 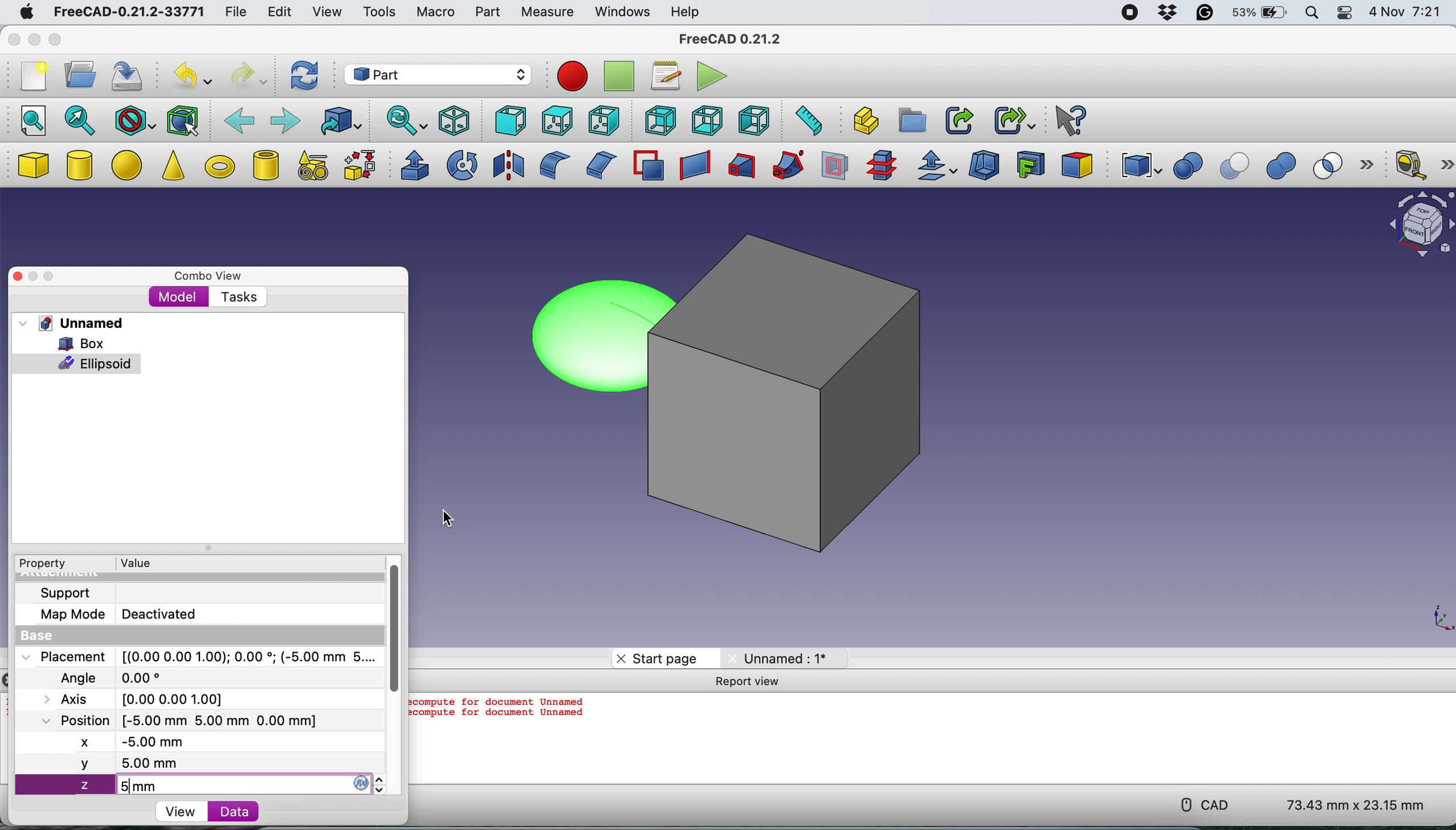 What do you see at coordinates (390, 625) in the screenshot?
I see `vertical scroll bar` at bounding box center [390, 625].